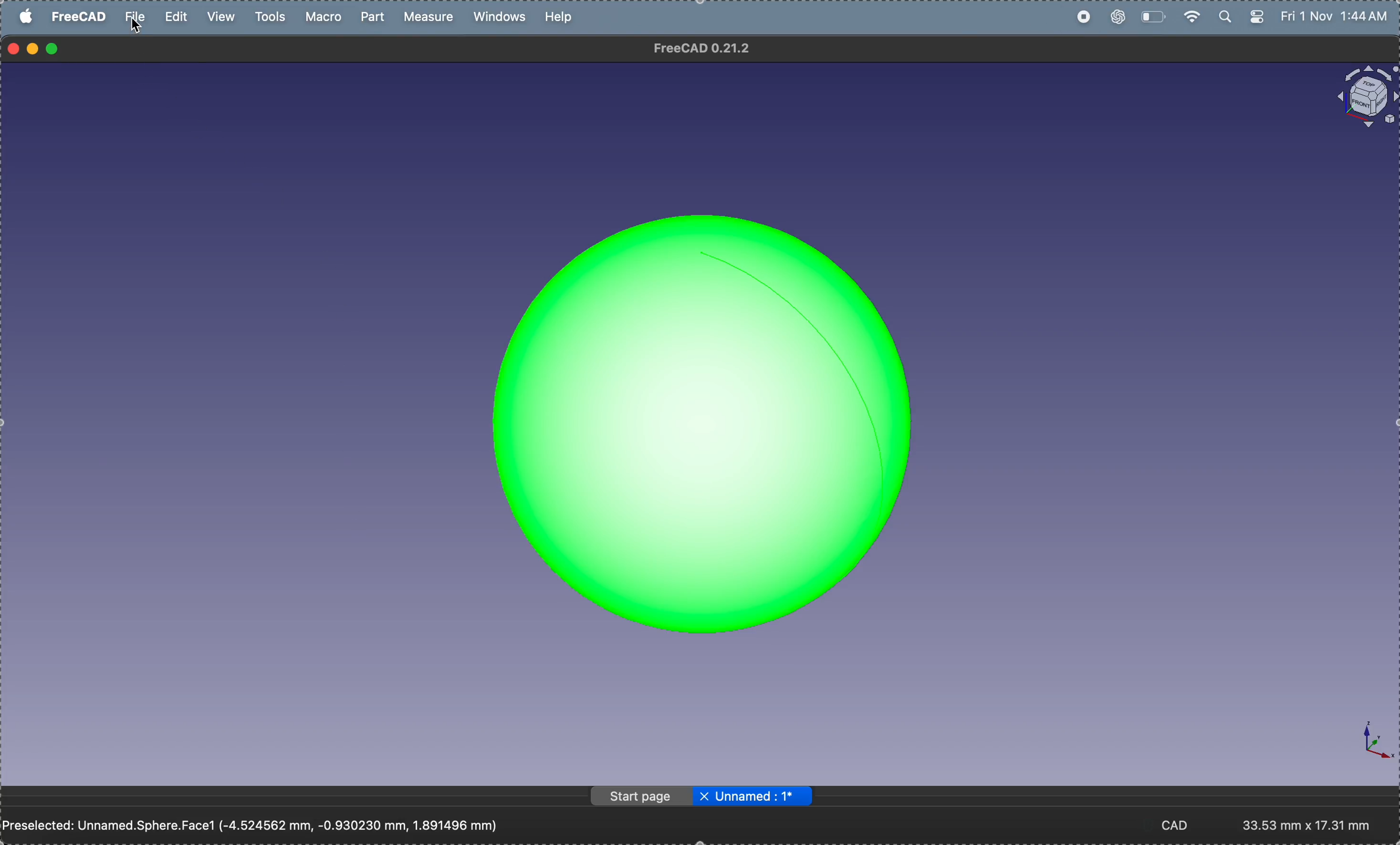 Image resolution: width=1400 pixels, height=845 pixels. What do you see at coordinates (1182, 825) in the screenshot?
I see `cad` at bounding box center [1182, 825].